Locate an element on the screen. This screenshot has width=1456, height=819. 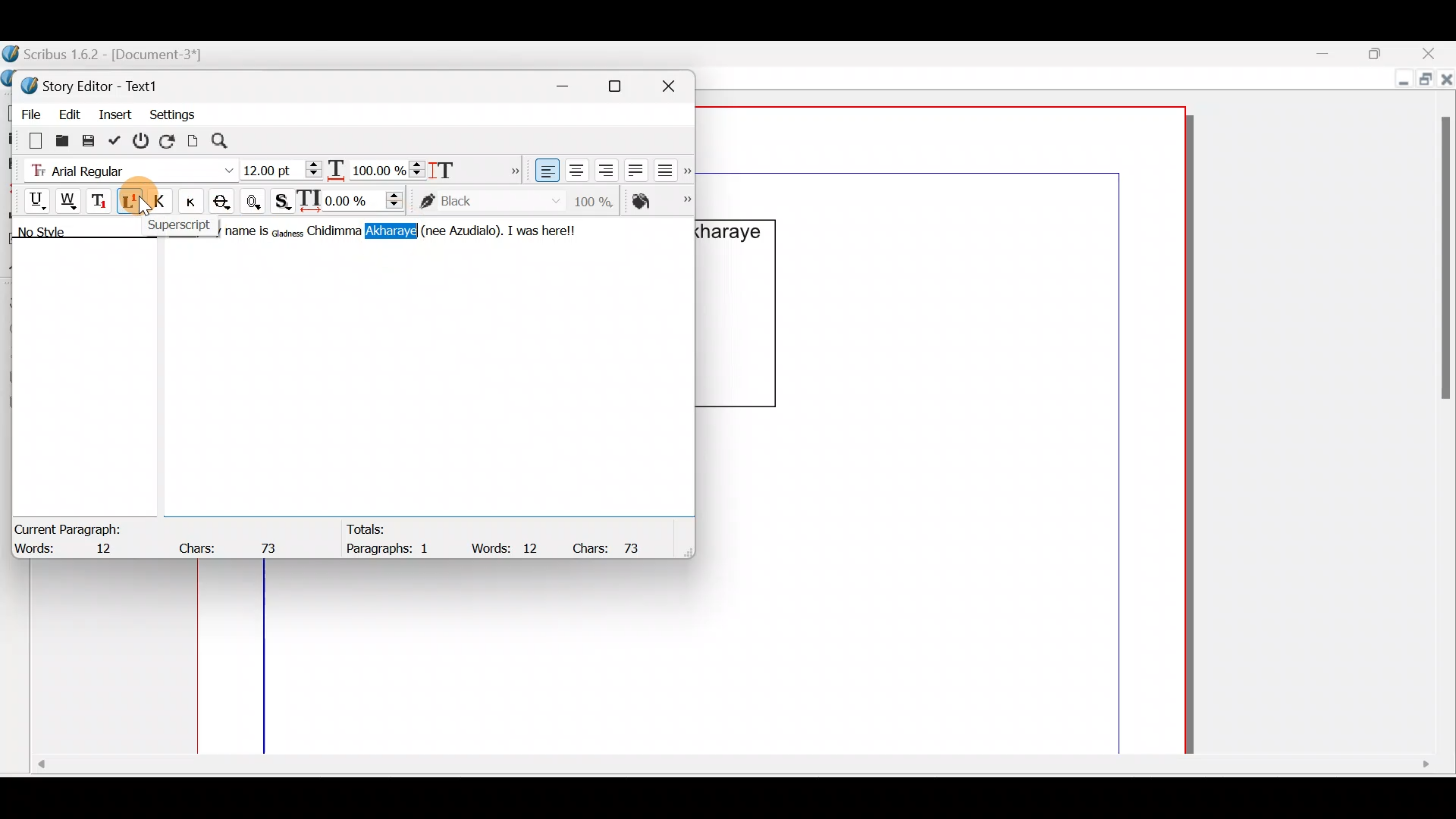
Small caps is located at coordinates (195, 200).